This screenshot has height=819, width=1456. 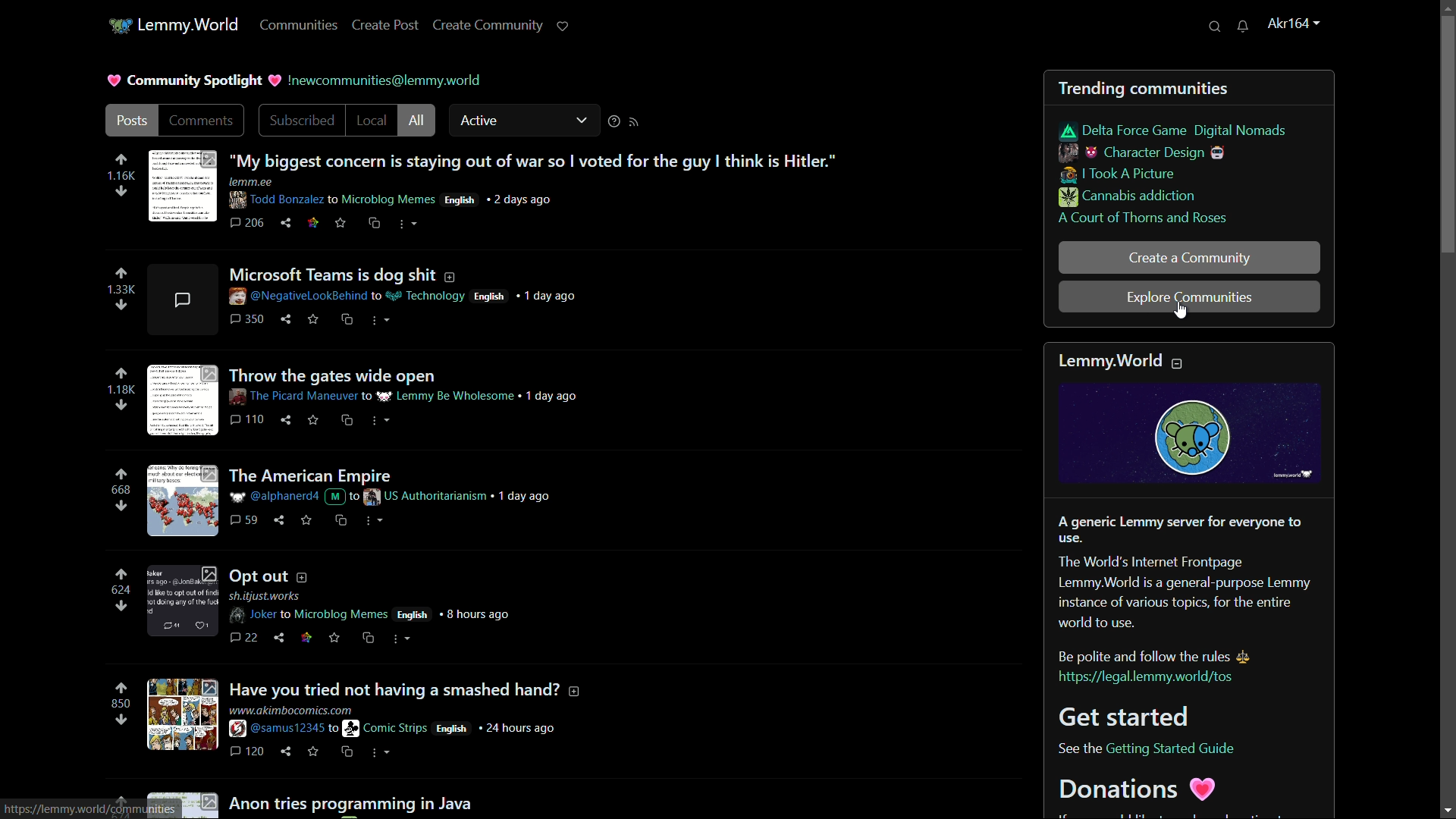 What do you see at coordinates (119, 474) in the screenshot?
I see `upvote` at bounding box center [119, 474].